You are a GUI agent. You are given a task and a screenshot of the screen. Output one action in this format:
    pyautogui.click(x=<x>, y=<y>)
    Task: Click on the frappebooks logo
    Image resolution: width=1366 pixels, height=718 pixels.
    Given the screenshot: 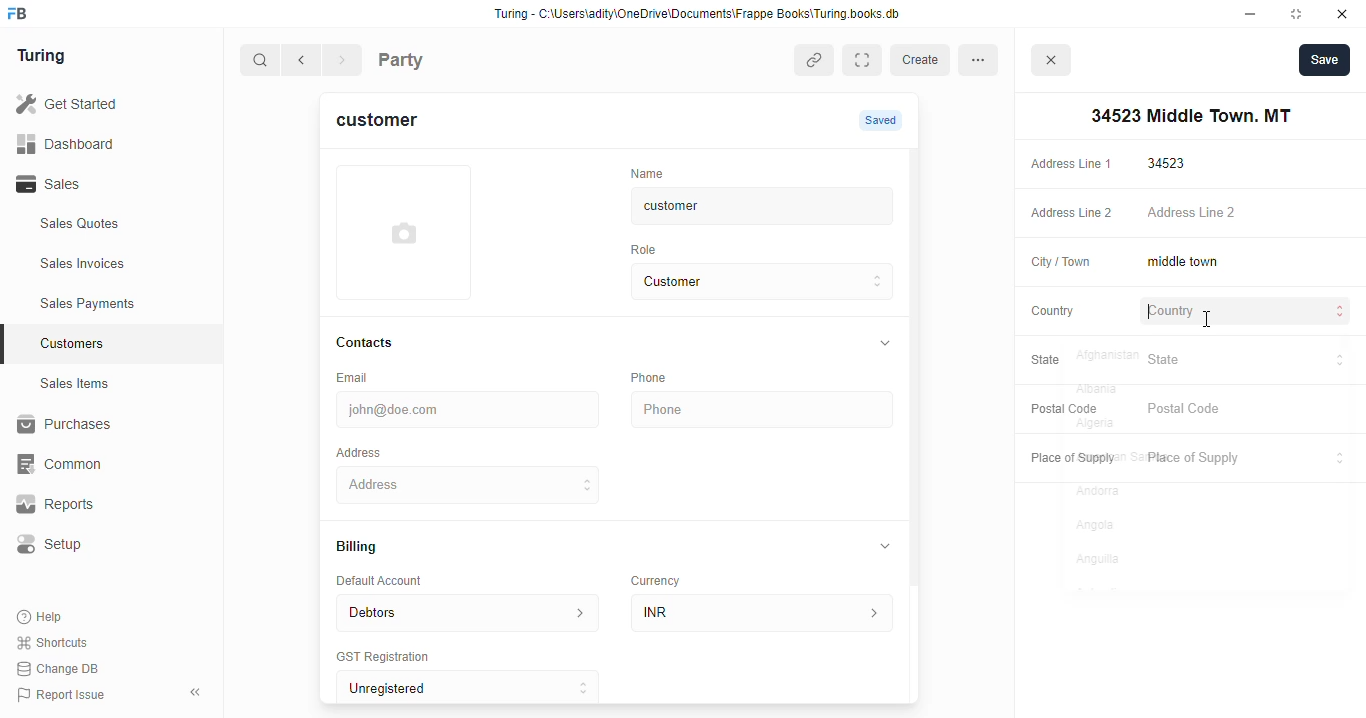 What is the action you would take?
    pyautogui.click(x=23, y=15)
    